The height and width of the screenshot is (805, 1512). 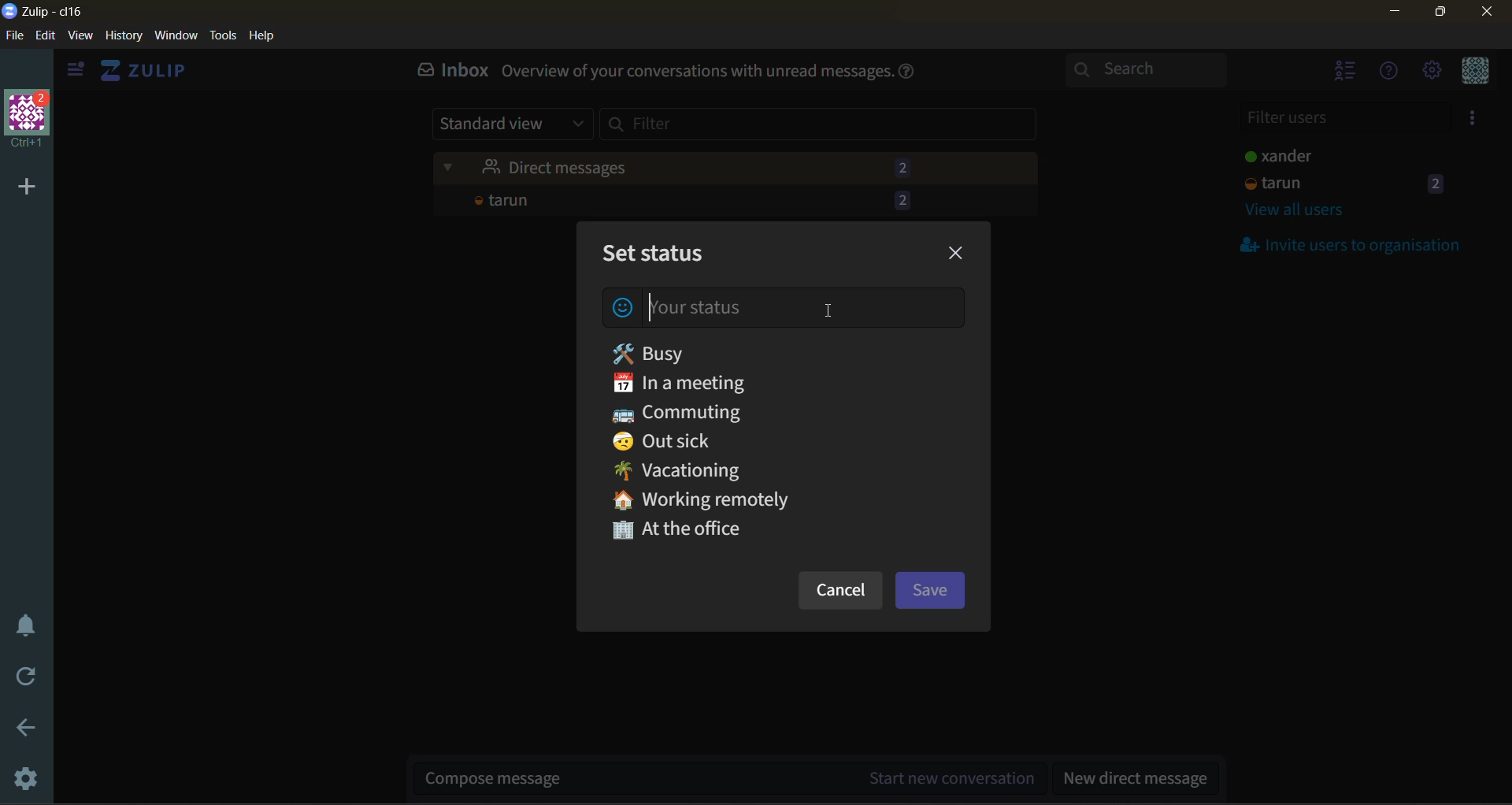 What do you see at coordinates (699, 469) in the screenshot?
I see `Vacationing` at bounding box center [699, 469].